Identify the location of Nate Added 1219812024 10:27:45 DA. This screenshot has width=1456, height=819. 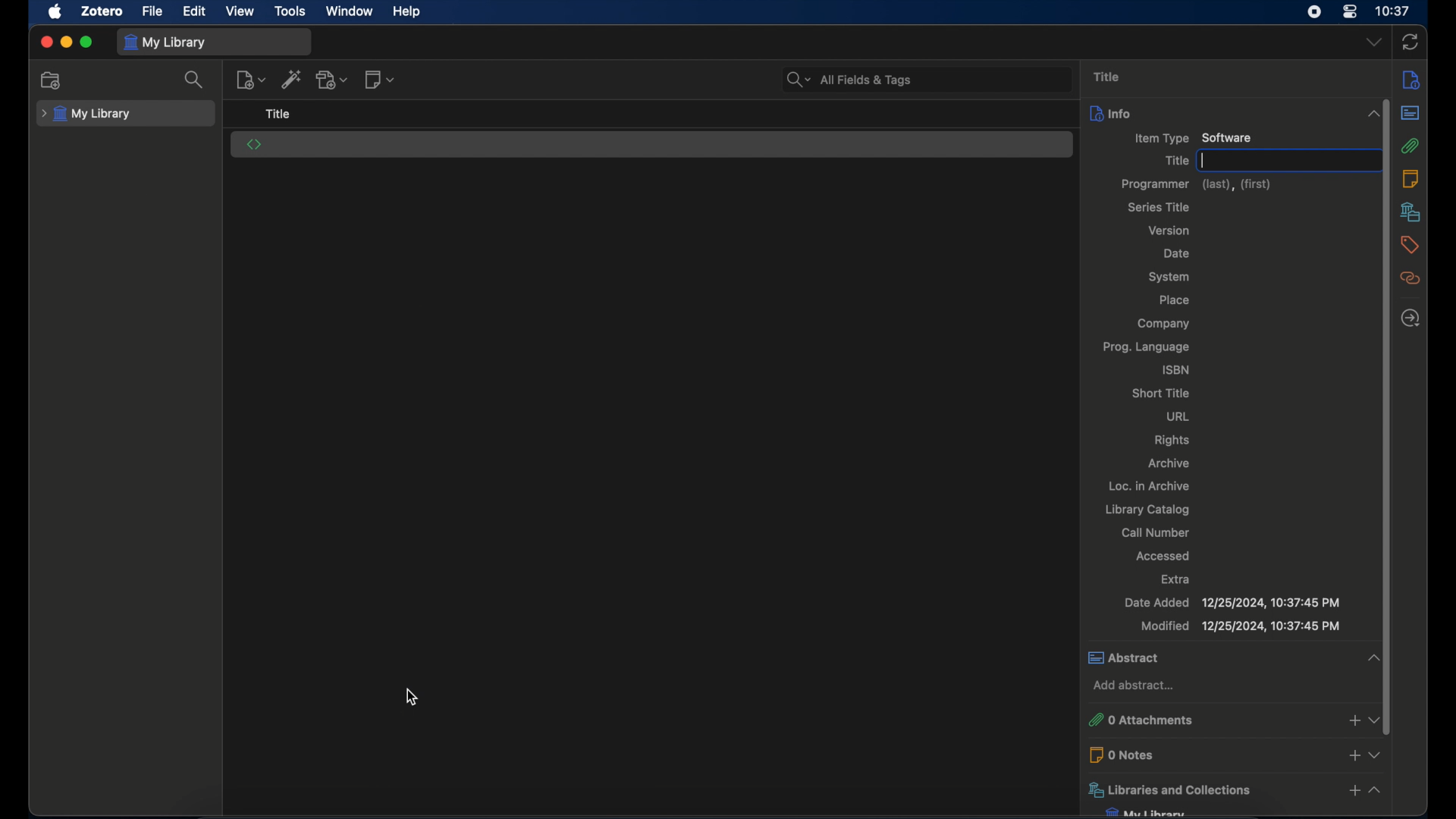
(1235, 601).